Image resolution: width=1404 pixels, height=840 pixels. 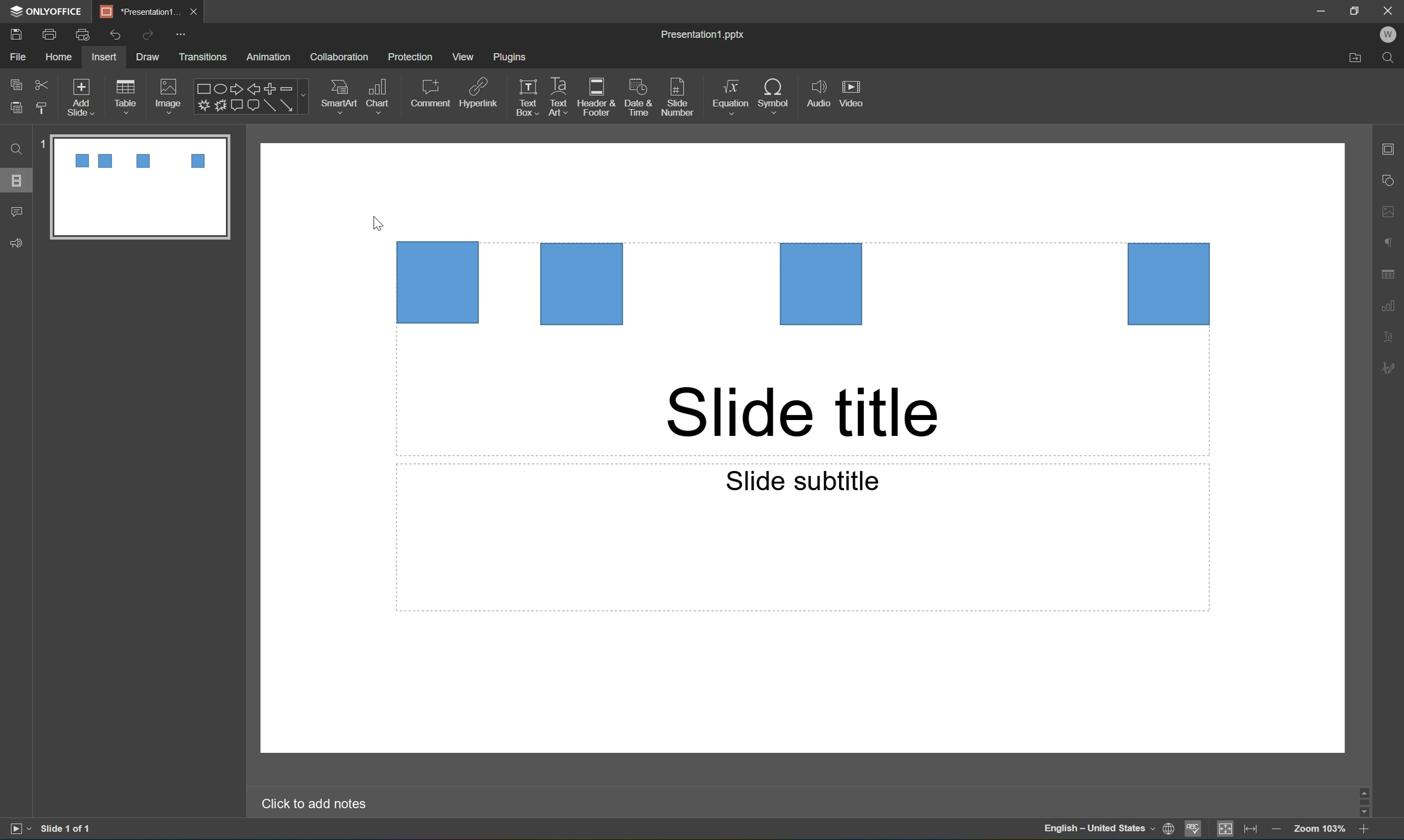 I want to click on transitions, so click(x=204, y=57).